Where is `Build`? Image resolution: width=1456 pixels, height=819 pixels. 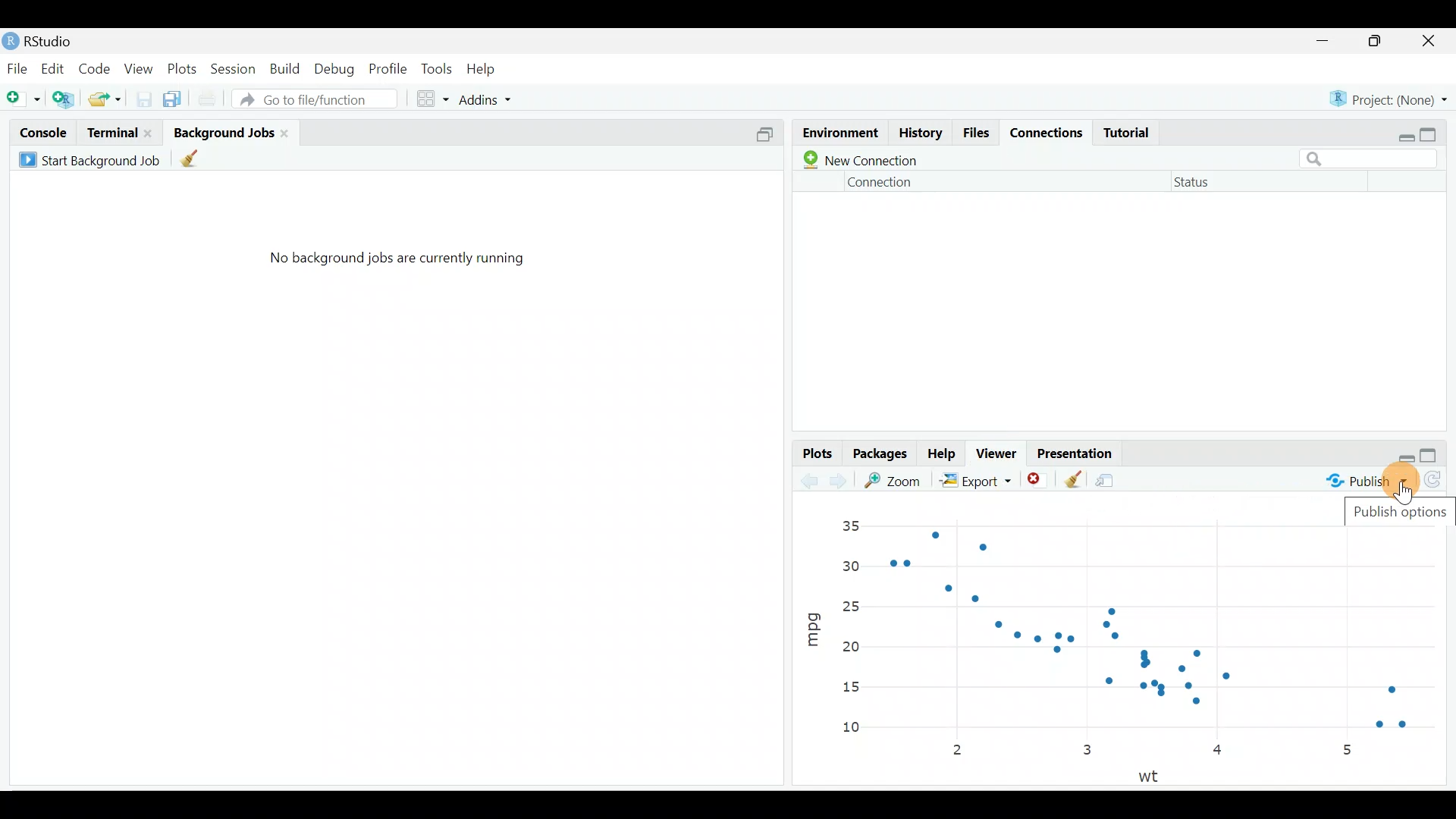 Build is located at coordinates (286, 69).